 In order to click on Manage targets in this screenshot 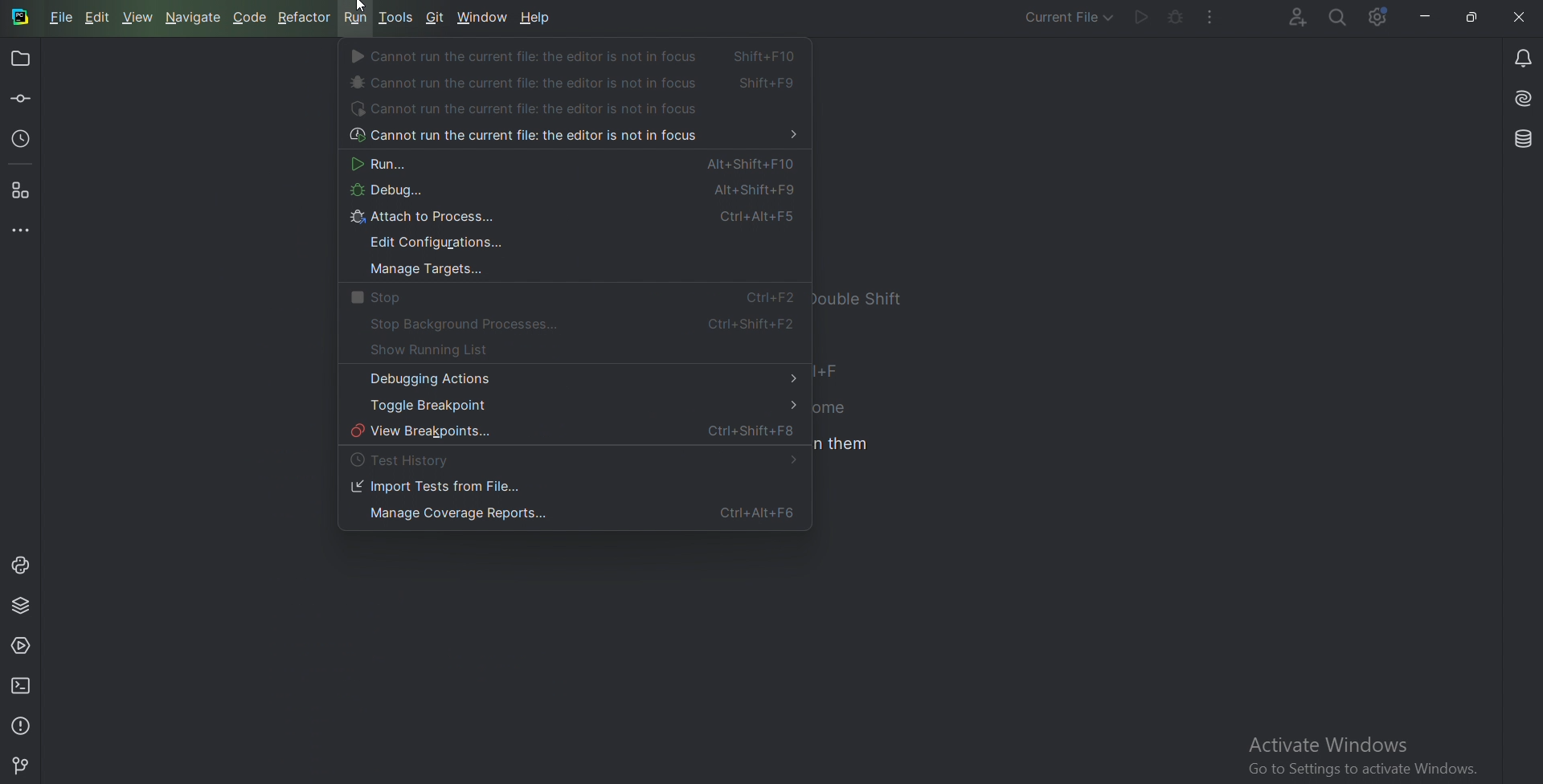, I will do `click(422, 271)`.